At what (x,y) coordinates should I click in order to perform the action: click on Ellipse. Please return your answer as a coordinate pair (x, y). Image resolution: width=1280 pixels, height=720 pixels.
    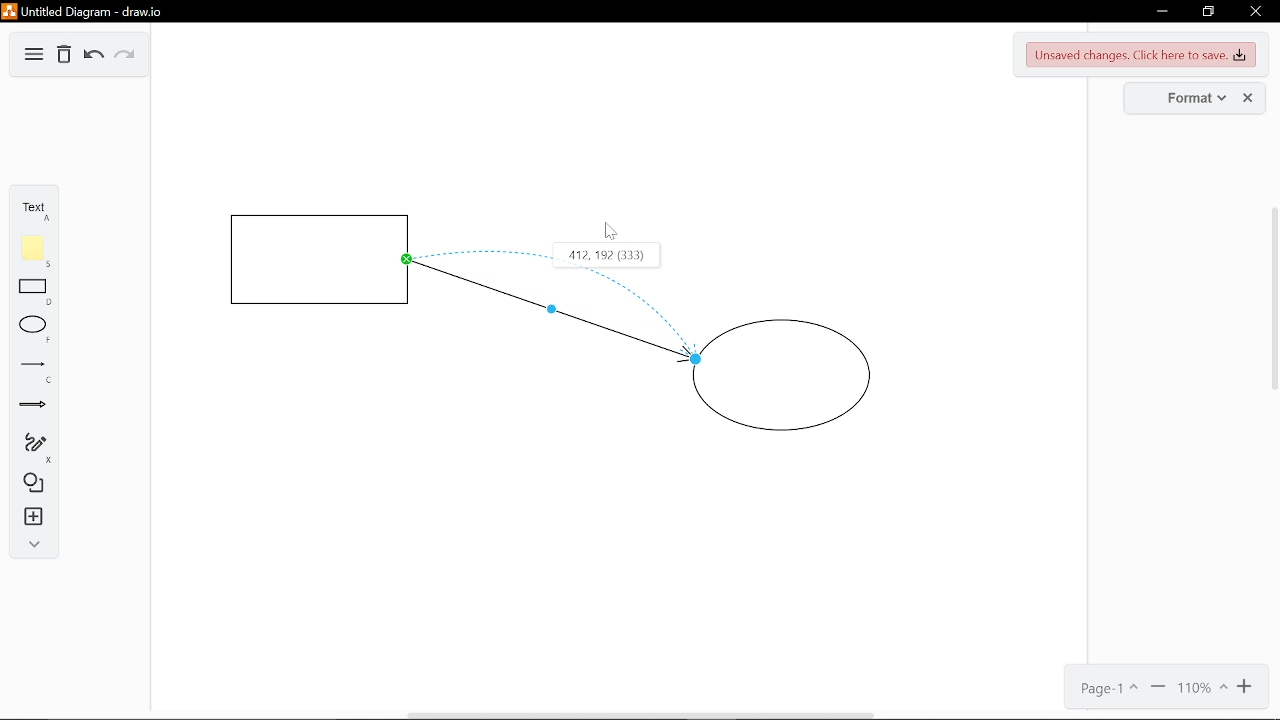
    Looking at the image, I should click on (30, 330).